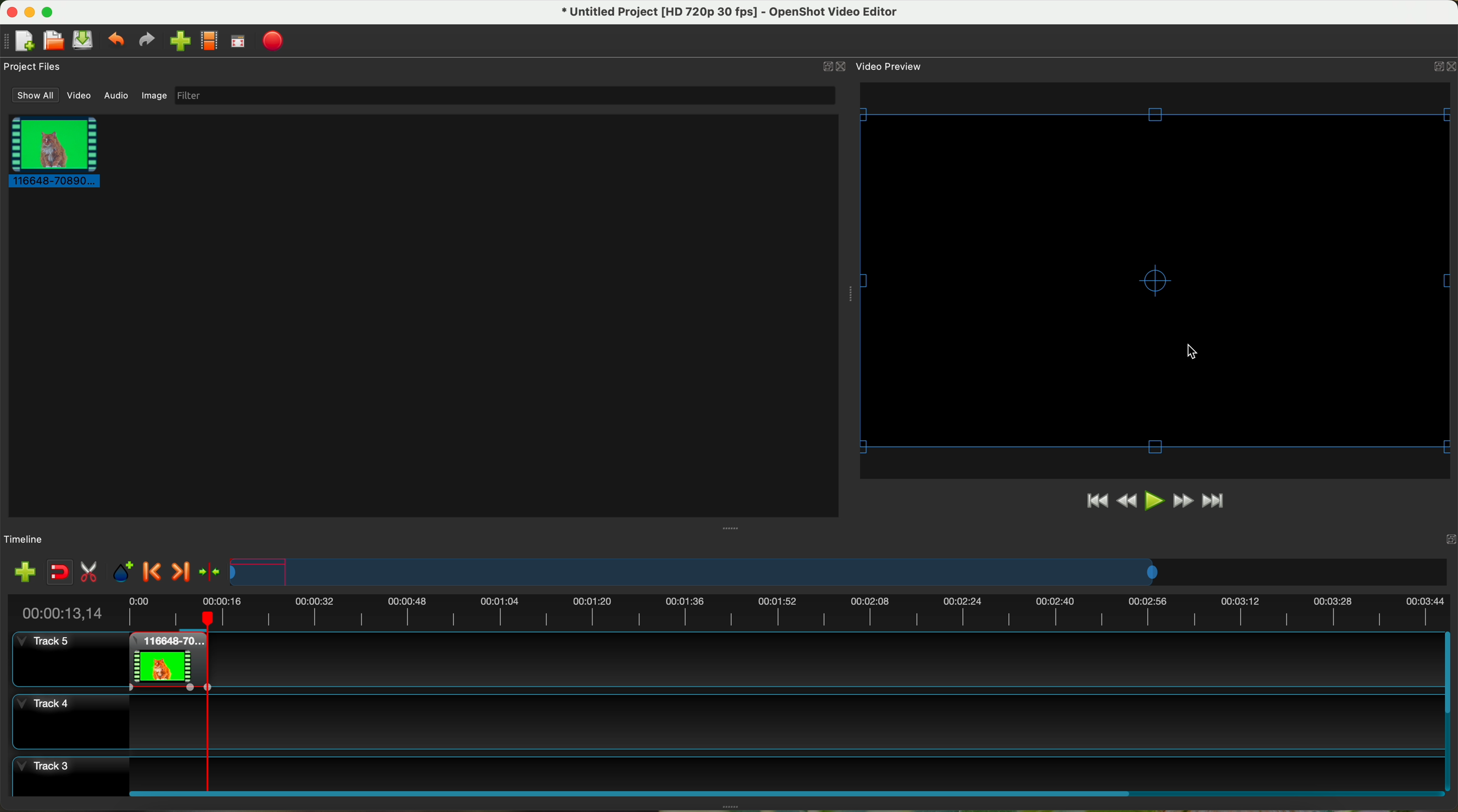  I want to click on track 5, so click(50, 647).